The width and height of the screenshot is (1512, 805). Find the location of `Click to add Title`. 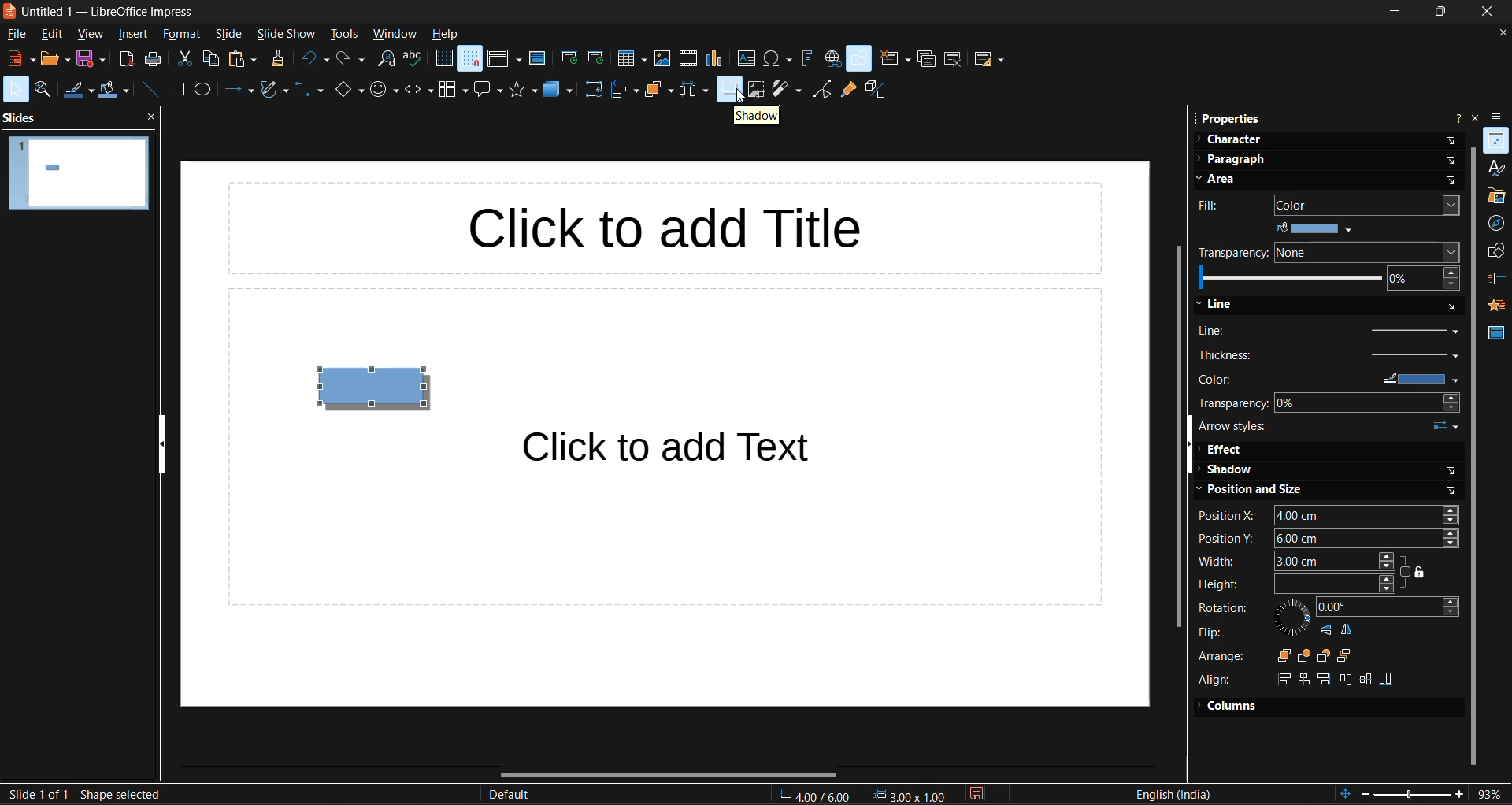

Click to add Title is located at coordinates (678, 227).